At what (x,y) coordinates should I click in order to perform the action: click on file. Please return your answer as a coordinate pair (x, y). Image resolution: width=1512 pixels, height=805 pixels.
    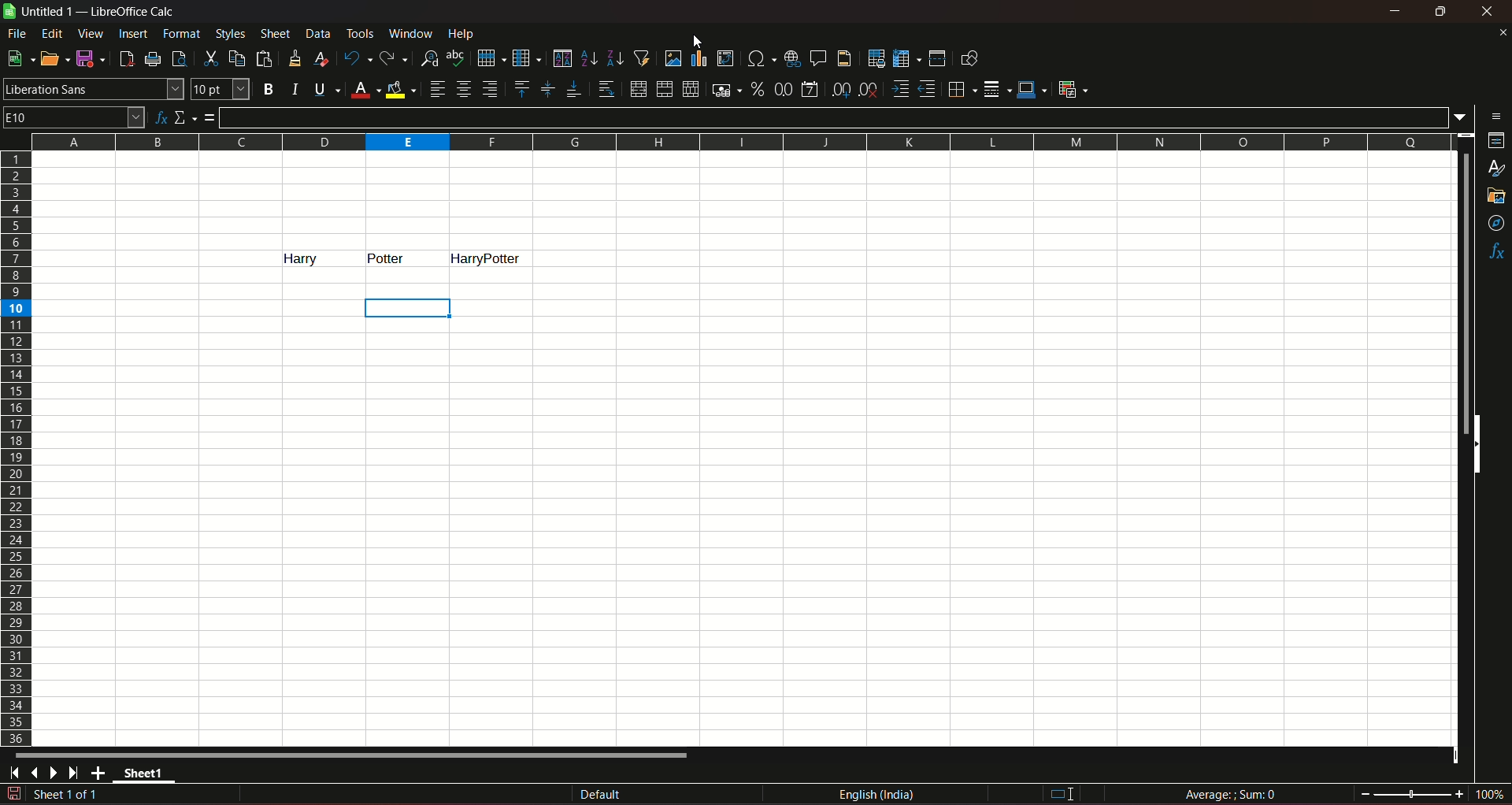
    Looking at the image, I should click on (18, 33).